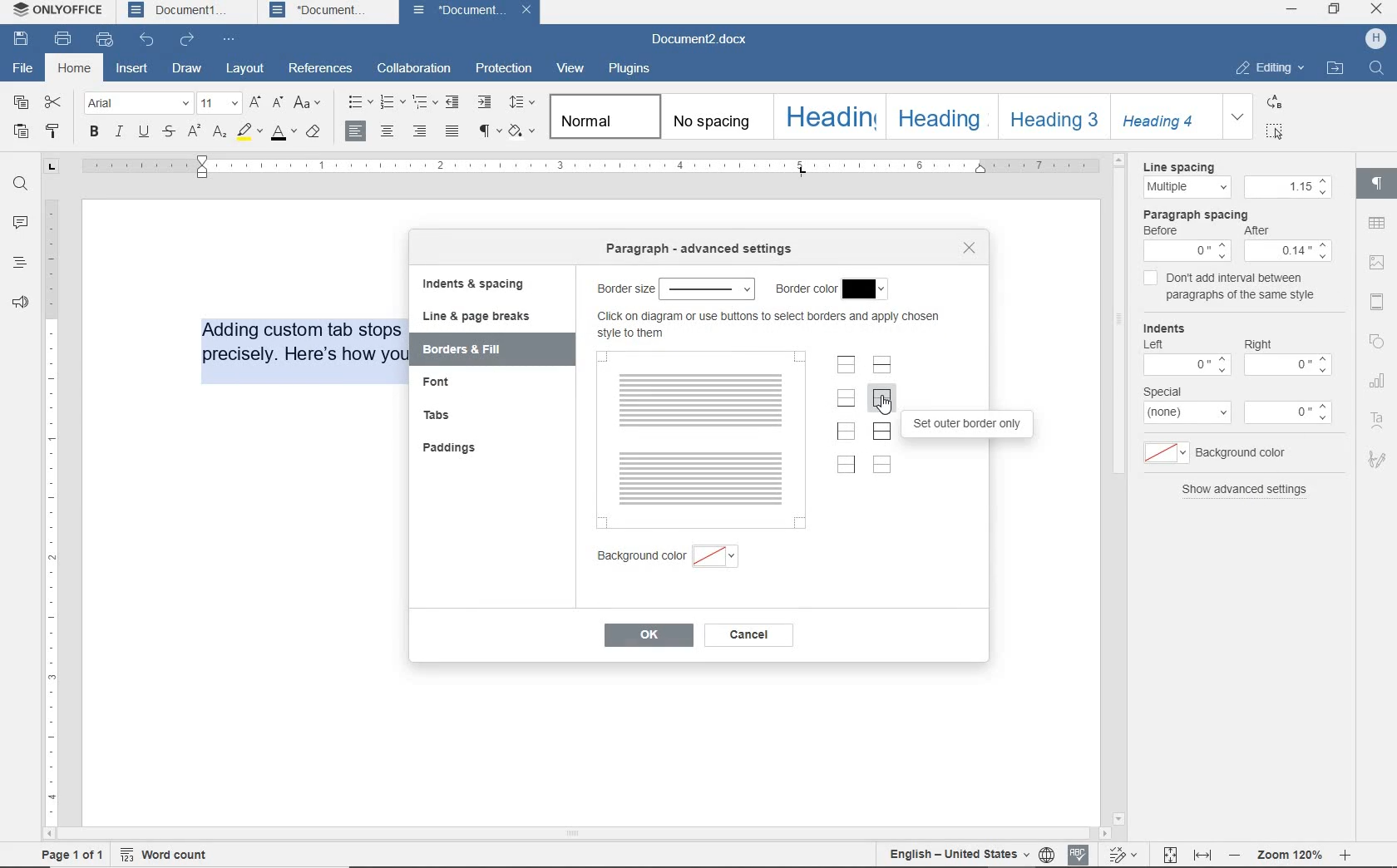 The image size is (1397, 868). I want to click on set no borders, so click(883, 465).